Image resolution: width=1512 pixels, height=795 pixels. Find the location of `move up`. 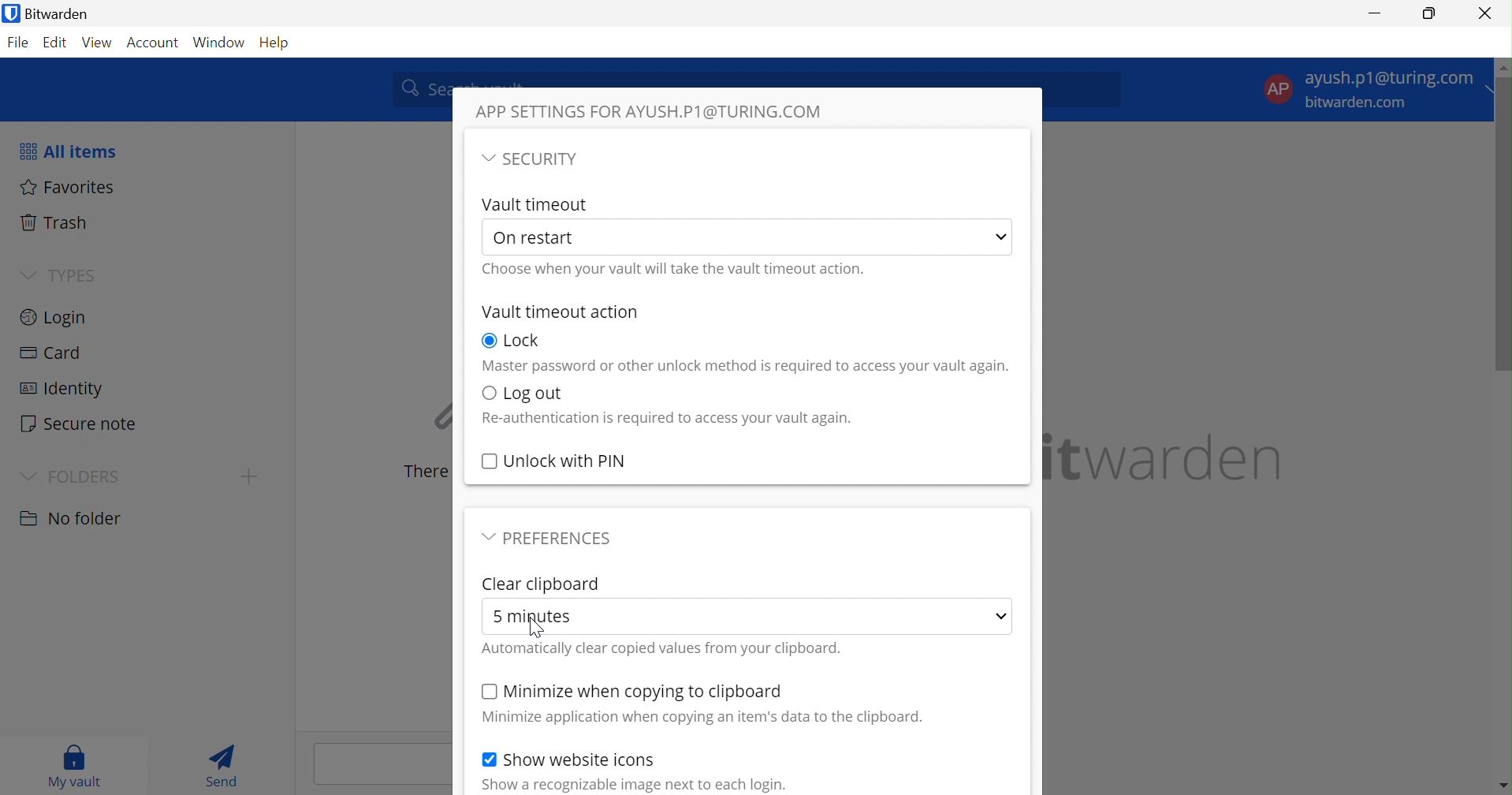

move up is located at coordinates (1502, 68).